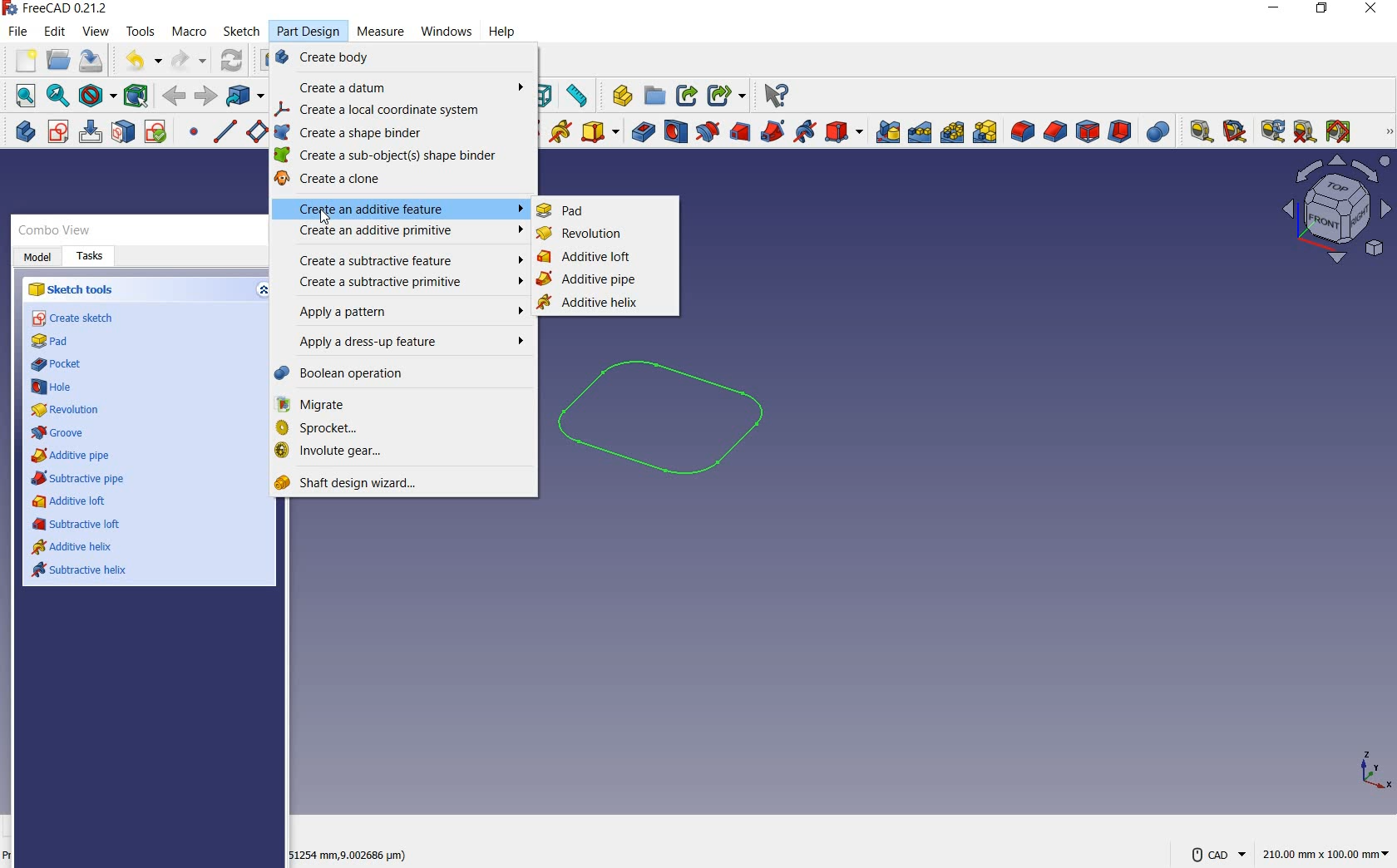 The height and width of the screenshot is (868, 1397). I want to click on Share, so click(689, 95).